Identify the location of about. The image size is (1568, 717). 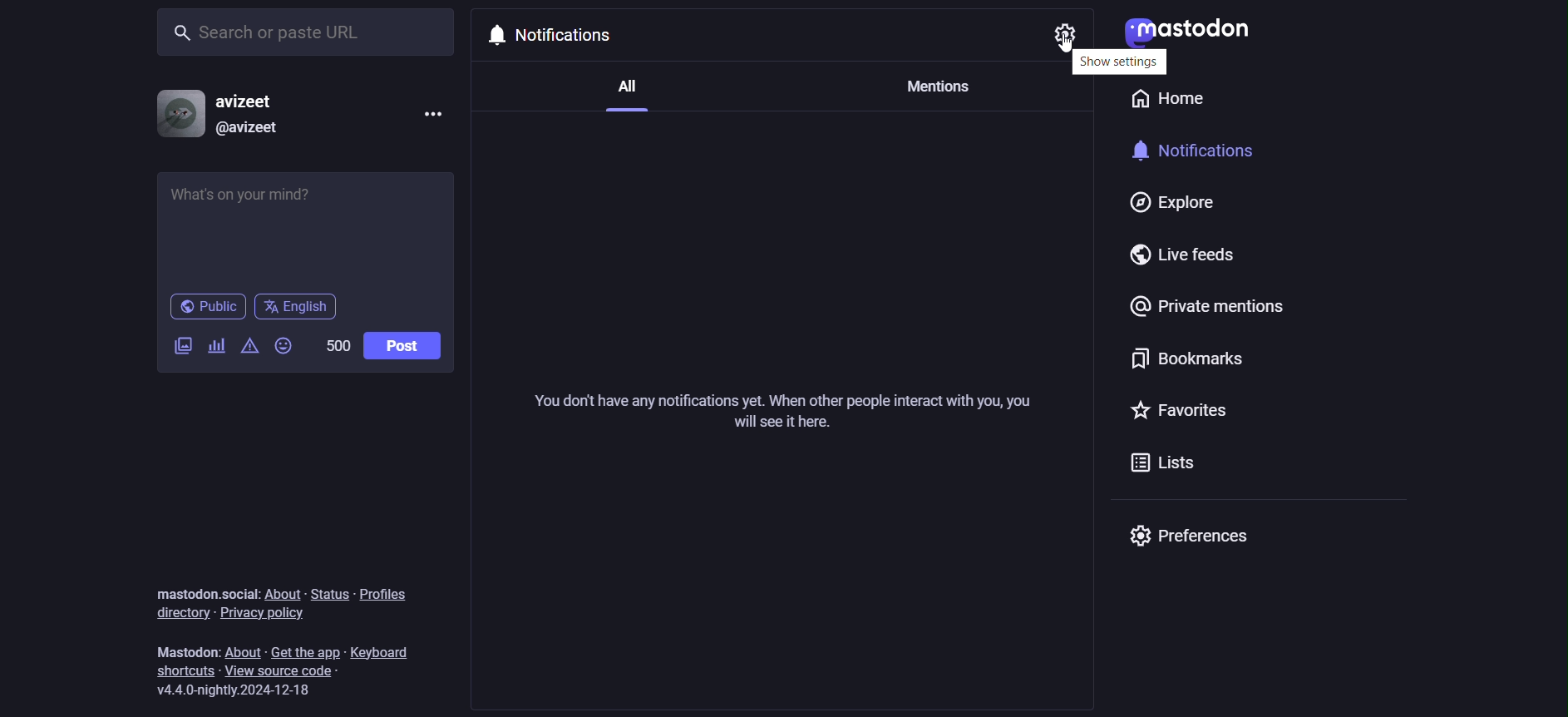
(245, 652).